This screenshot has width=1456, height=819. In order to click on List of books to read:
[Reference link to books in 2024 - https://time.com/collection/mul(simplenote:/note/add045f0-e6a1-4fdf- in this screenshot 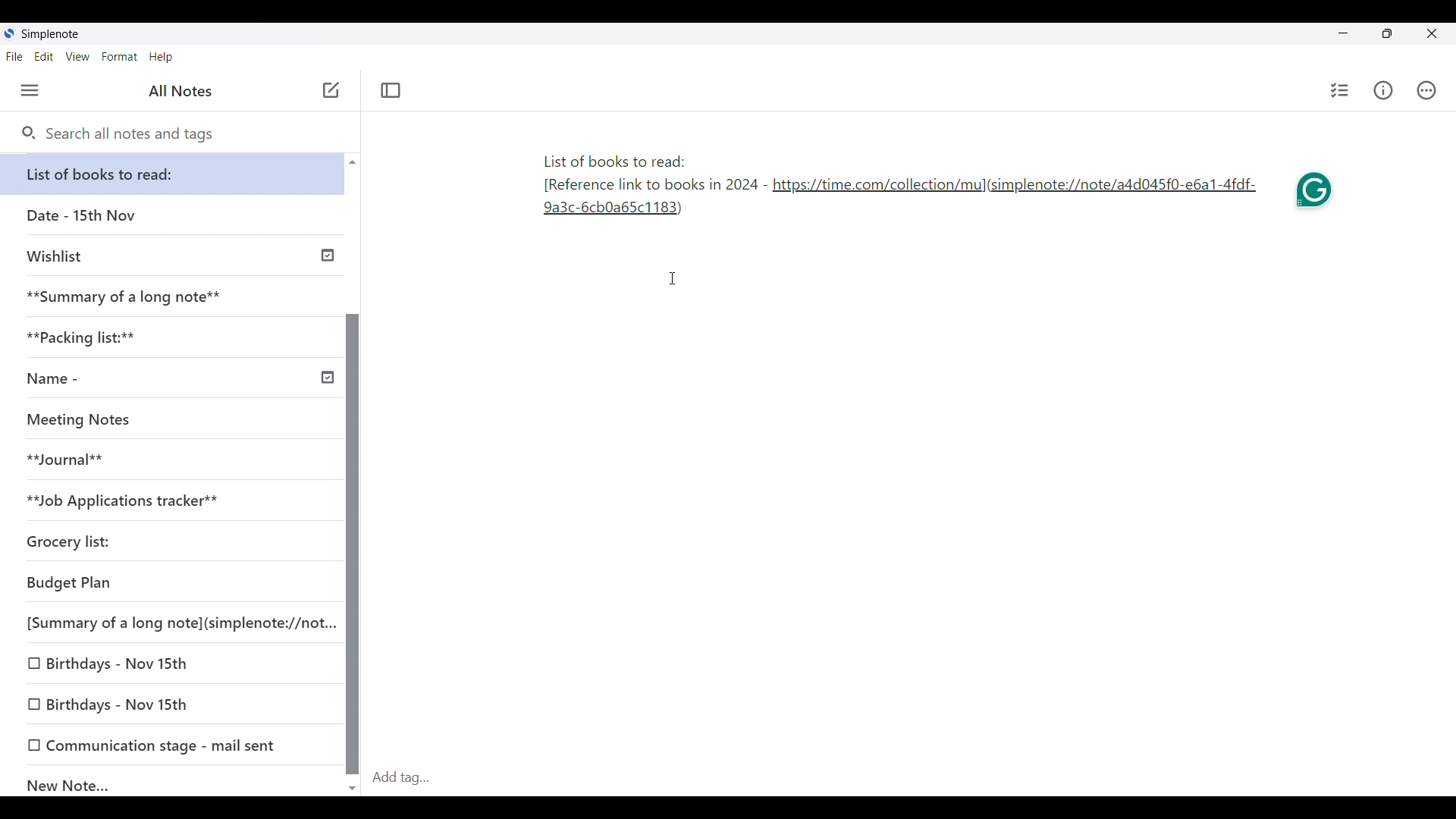, I will do `click(897, 188)`.